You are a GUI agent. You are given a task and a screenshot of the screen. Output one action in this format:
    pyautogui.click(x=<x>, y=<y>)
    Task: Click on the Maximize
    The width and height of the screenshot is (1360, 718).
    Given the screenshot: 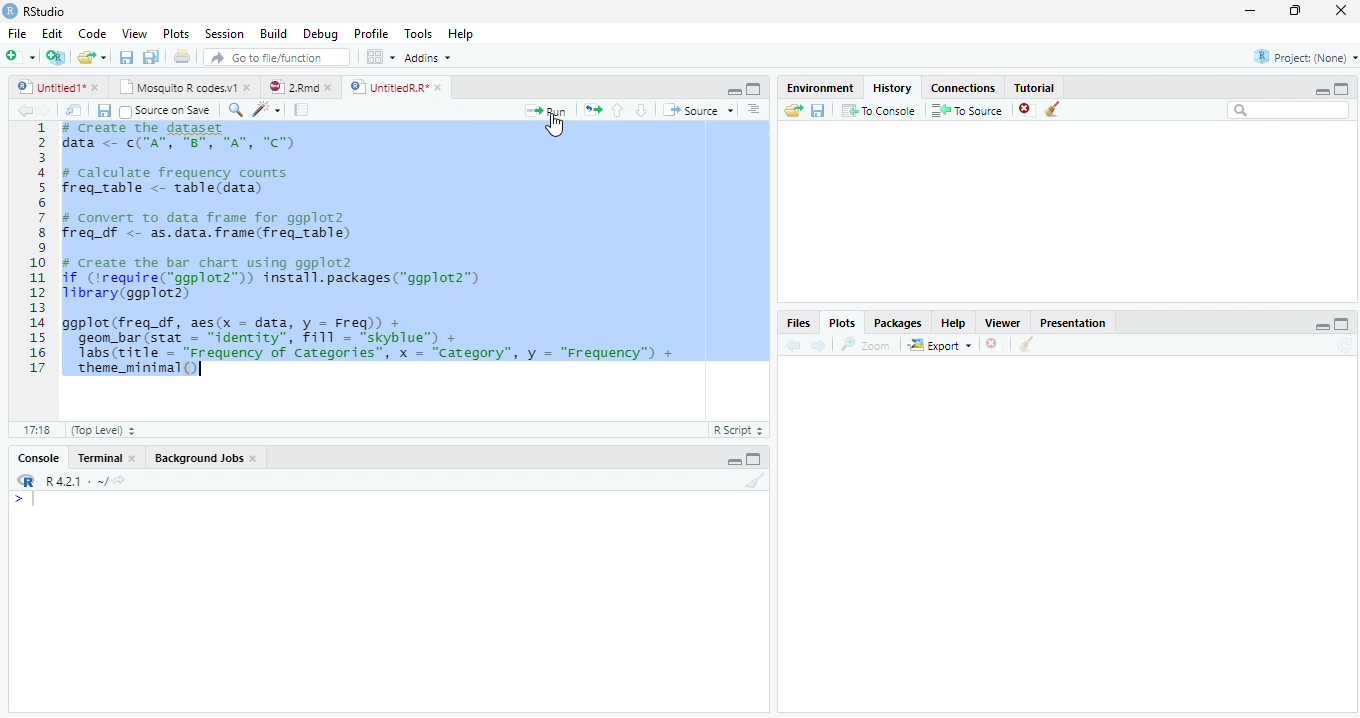 What is the action you would take?
    pyautogui.click(x=1343, y=324)
    